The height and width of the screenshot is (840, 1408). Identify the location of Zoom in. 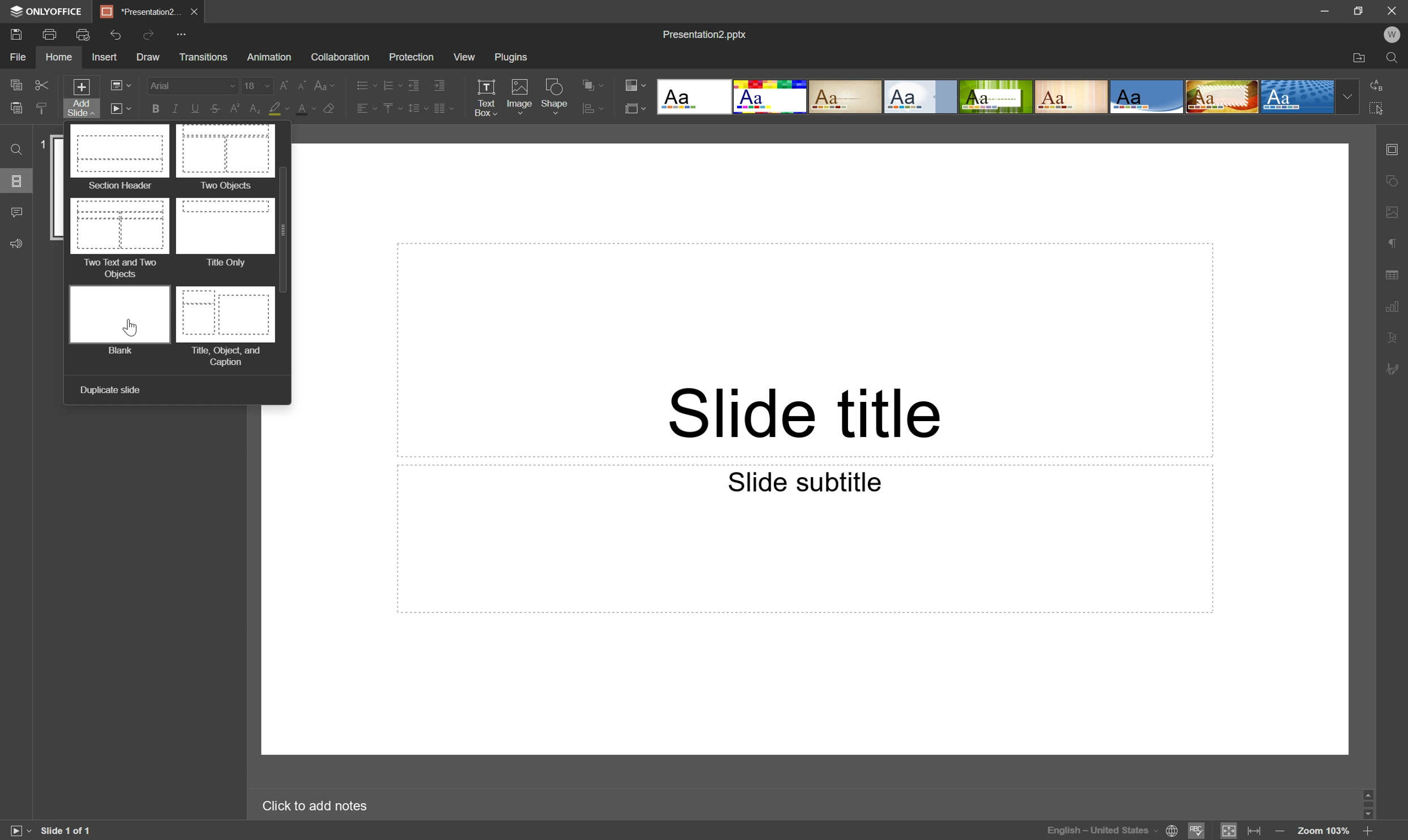
(1368, 830).